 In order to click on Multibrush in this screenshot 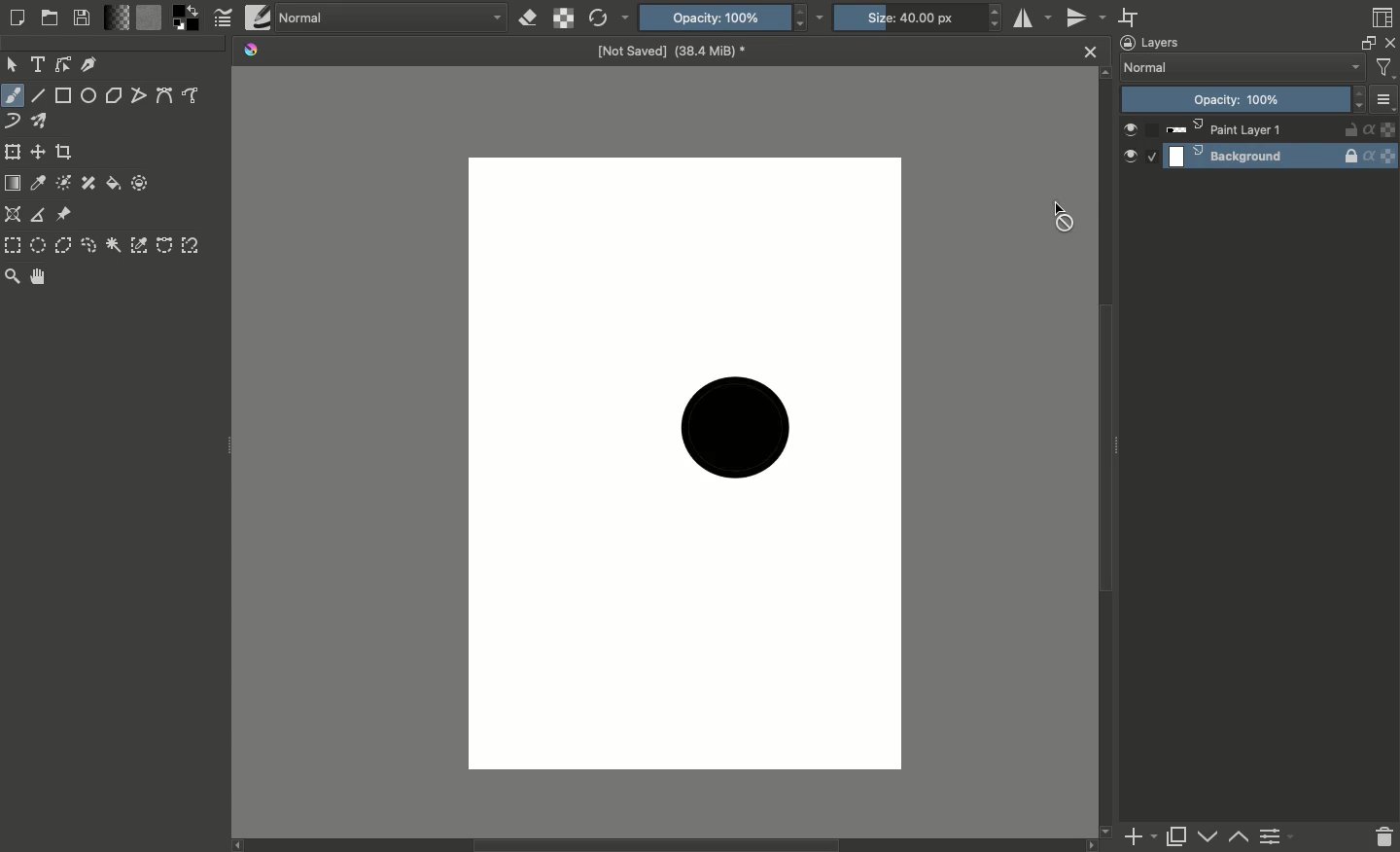, I will do `click(46, 122)`.